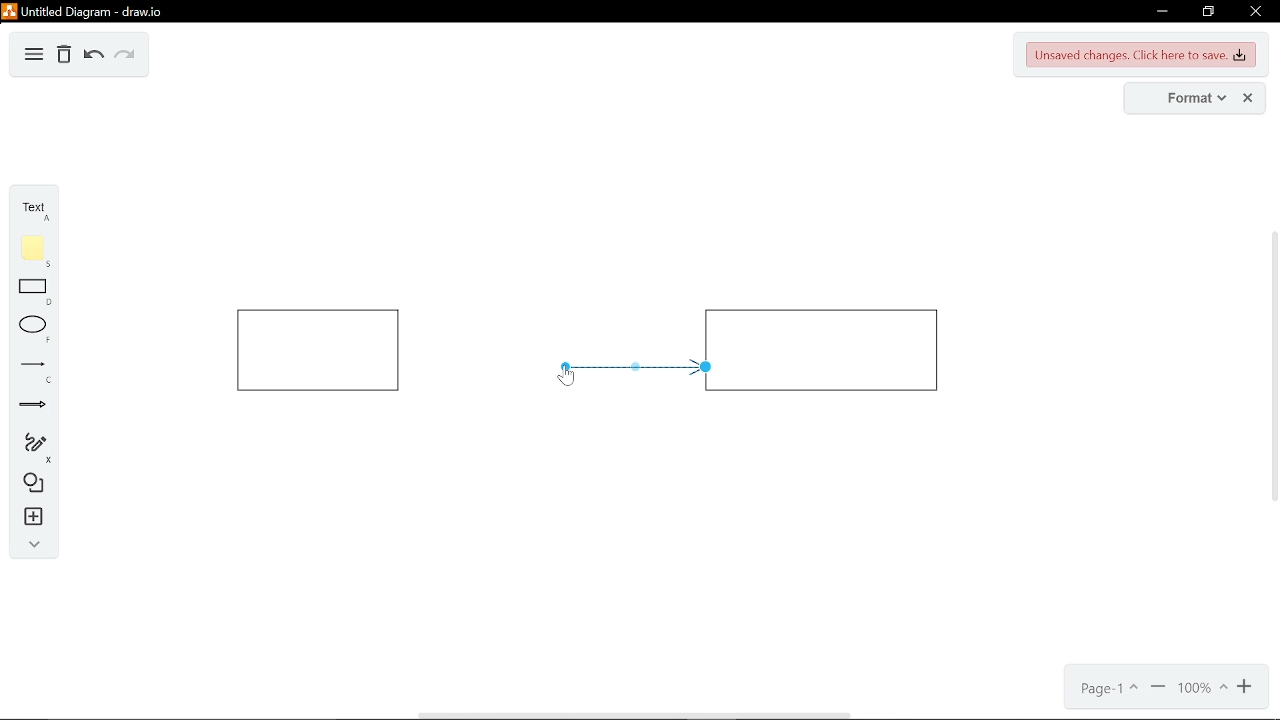 This screenshot has width=1280, height=720. Describe the element at coordinates (1209, 12) in the screenshot. I see `restore down` at that location.